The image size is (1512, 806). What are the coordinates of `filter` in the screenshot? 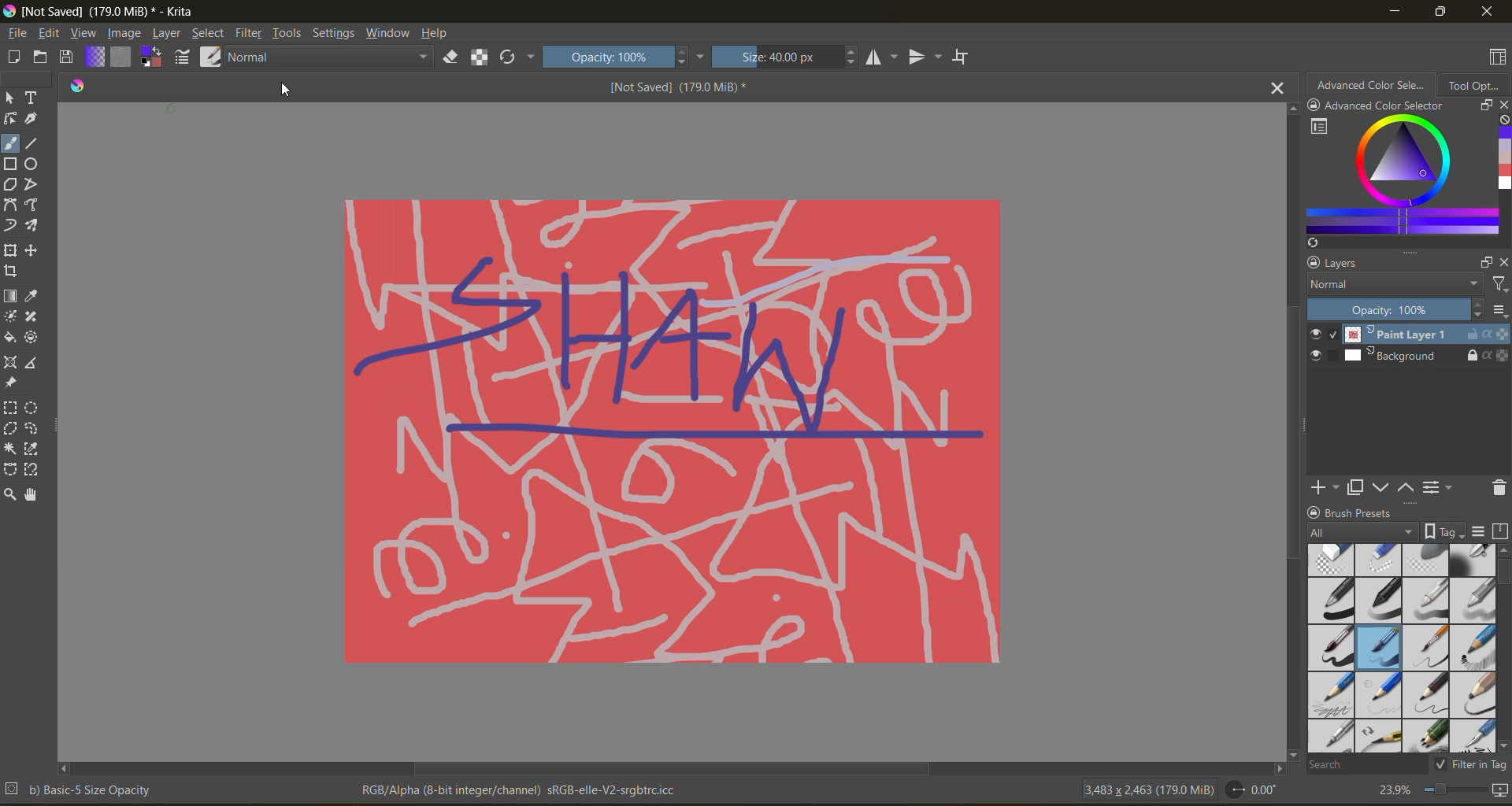 It's located at (1496, 285).